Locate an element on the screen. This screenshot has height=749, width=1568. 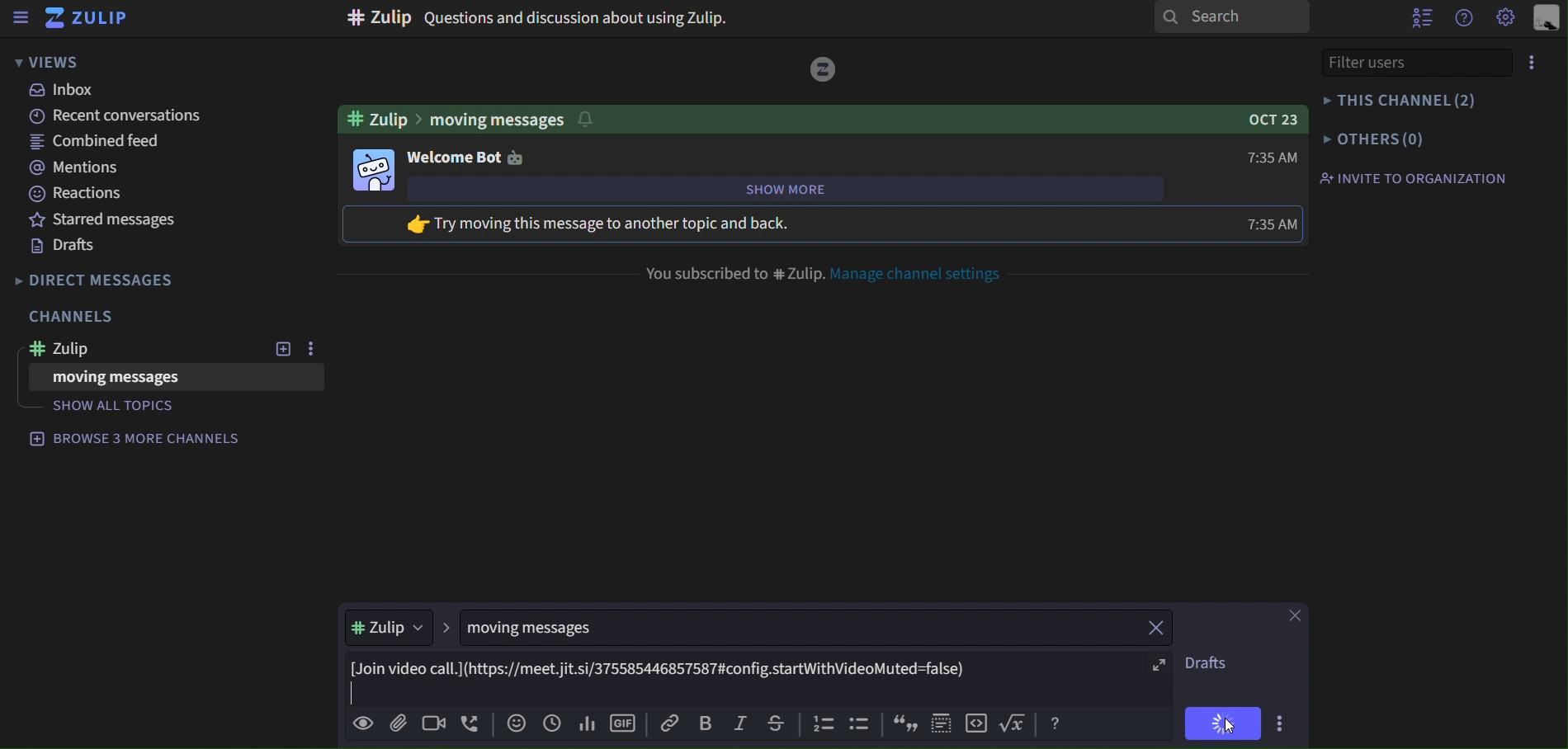
function is located at coordinates (1014, 724).